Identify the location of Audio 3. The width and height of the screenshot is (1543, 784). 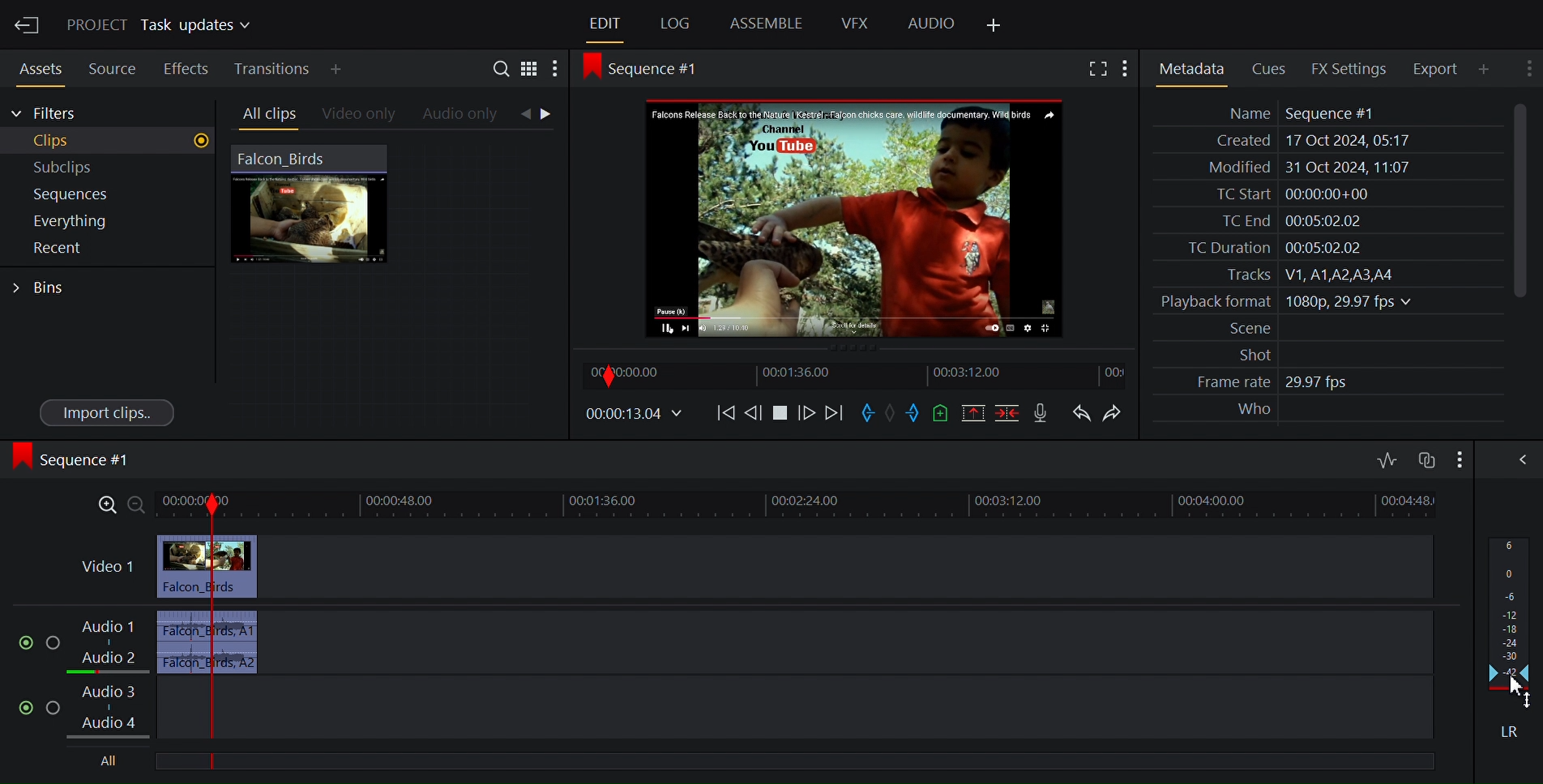
(113, 691).